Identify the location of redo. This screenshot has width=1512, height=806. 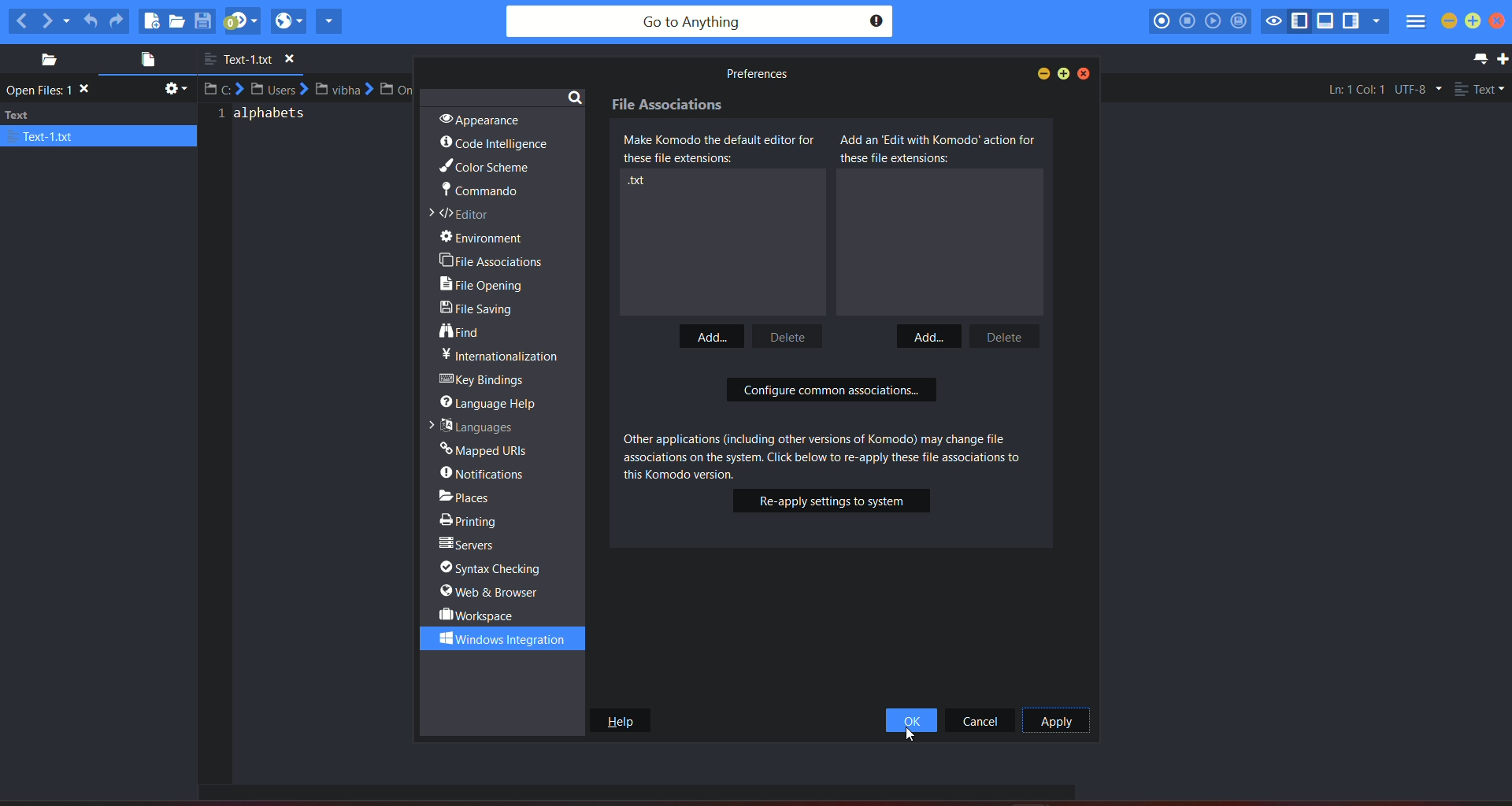
(117, 20).